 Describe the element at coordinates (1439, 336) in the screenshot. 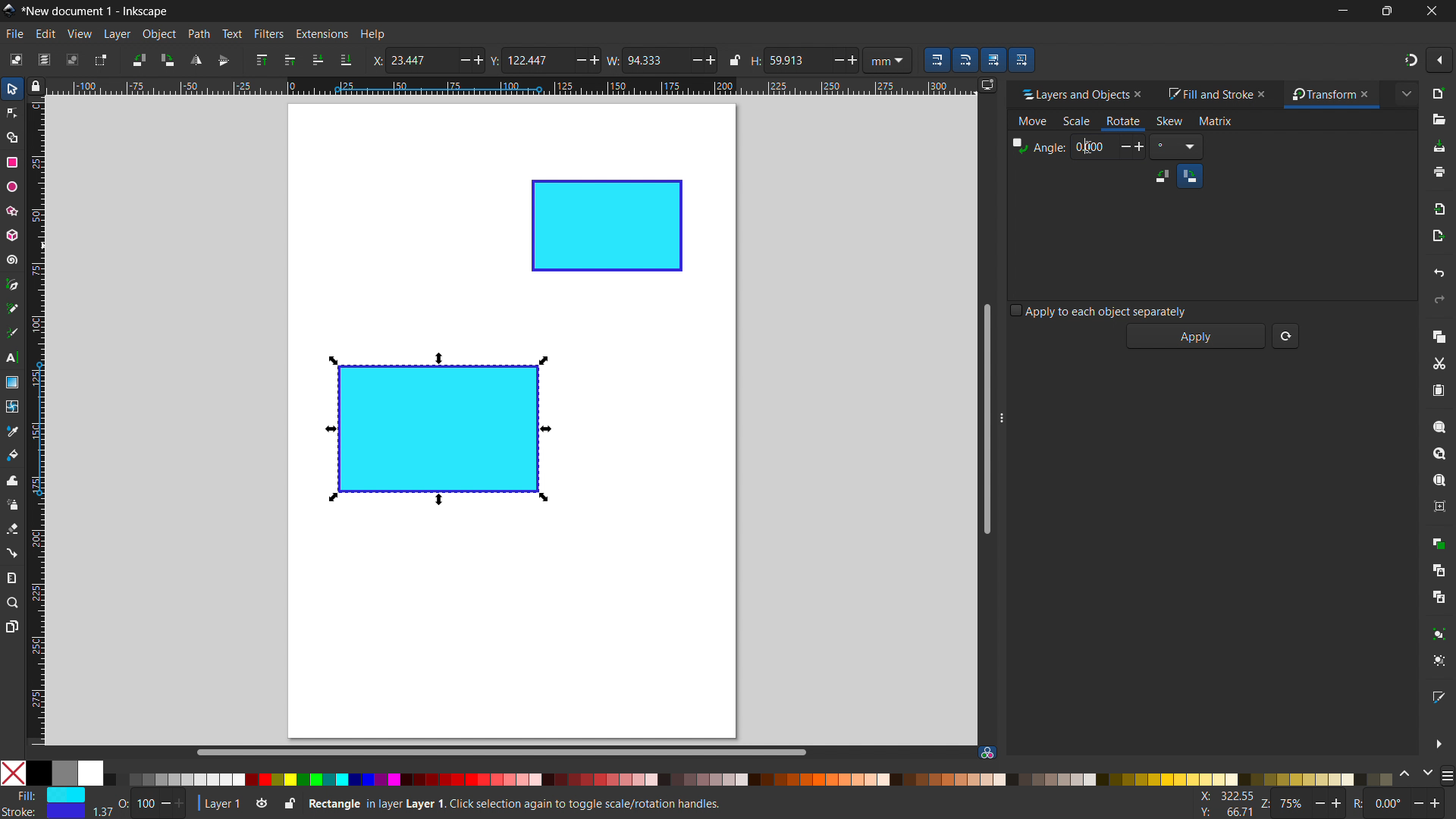

I see `copy` at that location.